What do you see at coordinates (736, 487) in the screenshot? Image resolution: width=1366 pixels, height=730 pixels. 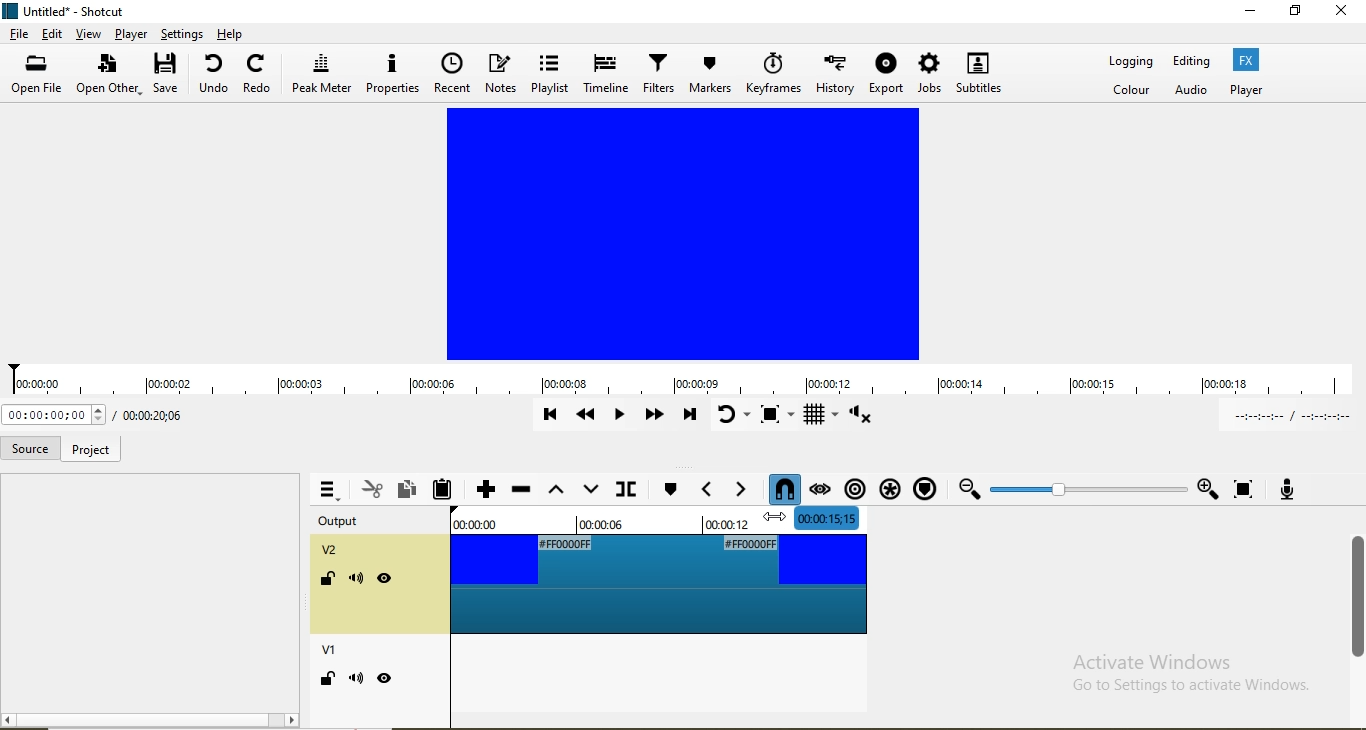 I see `Next marker` at bounding box center [736, 487].